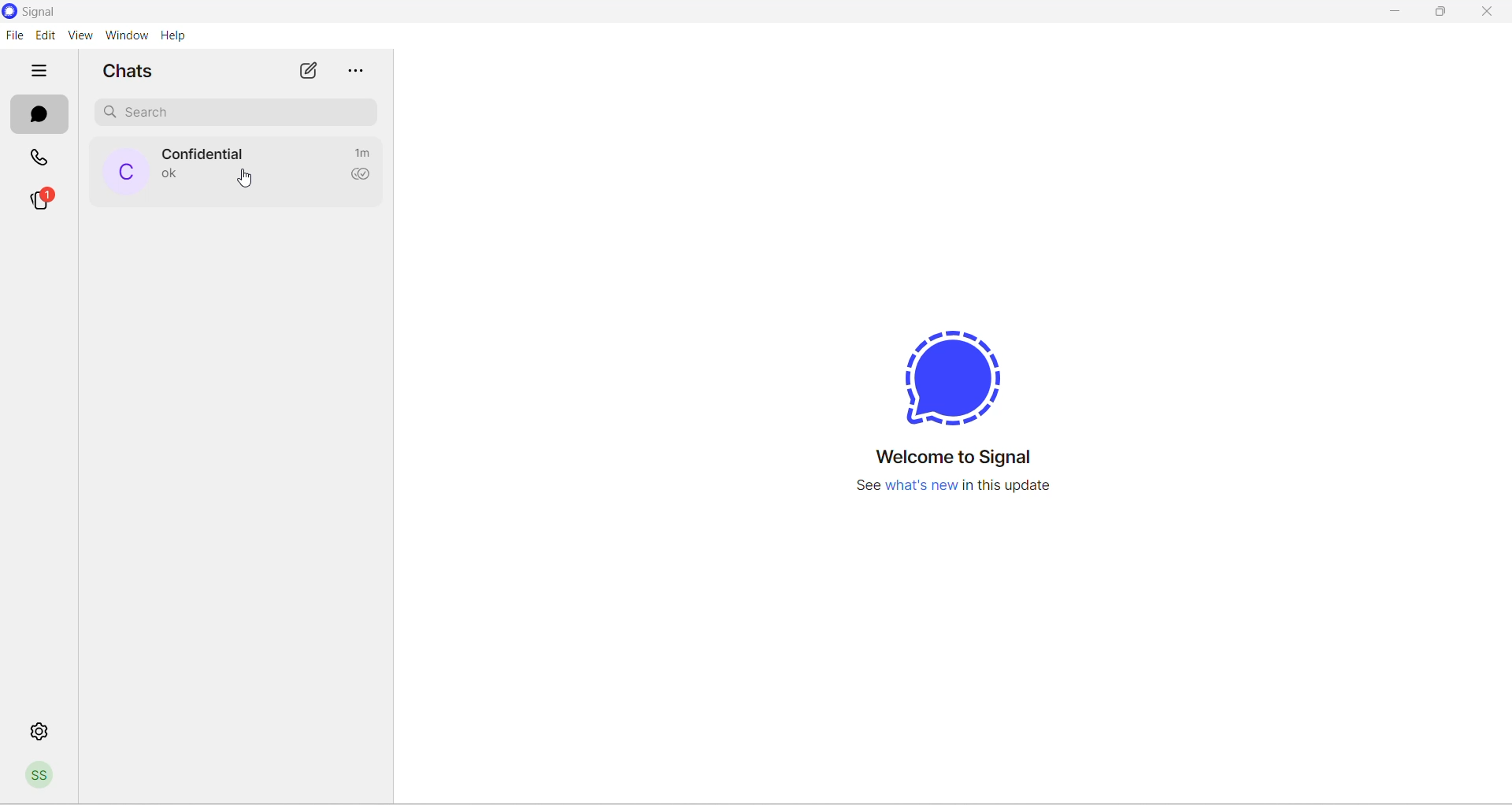  I want to click on help, so click(176, 37).